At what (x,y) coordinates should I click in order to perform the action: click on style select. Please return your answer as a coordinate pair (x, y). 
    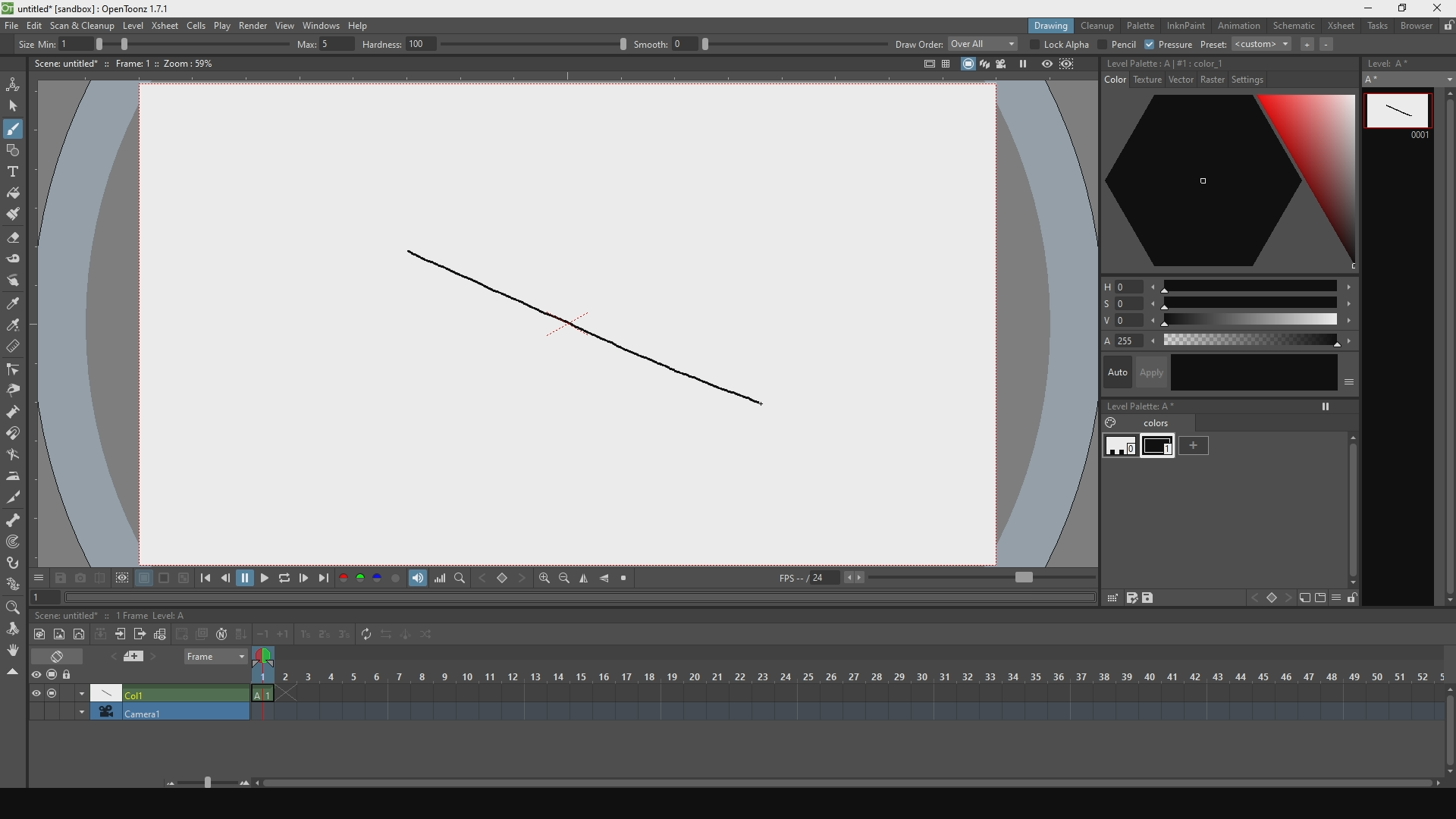
    Looking at the image, I should click on (14, 306).